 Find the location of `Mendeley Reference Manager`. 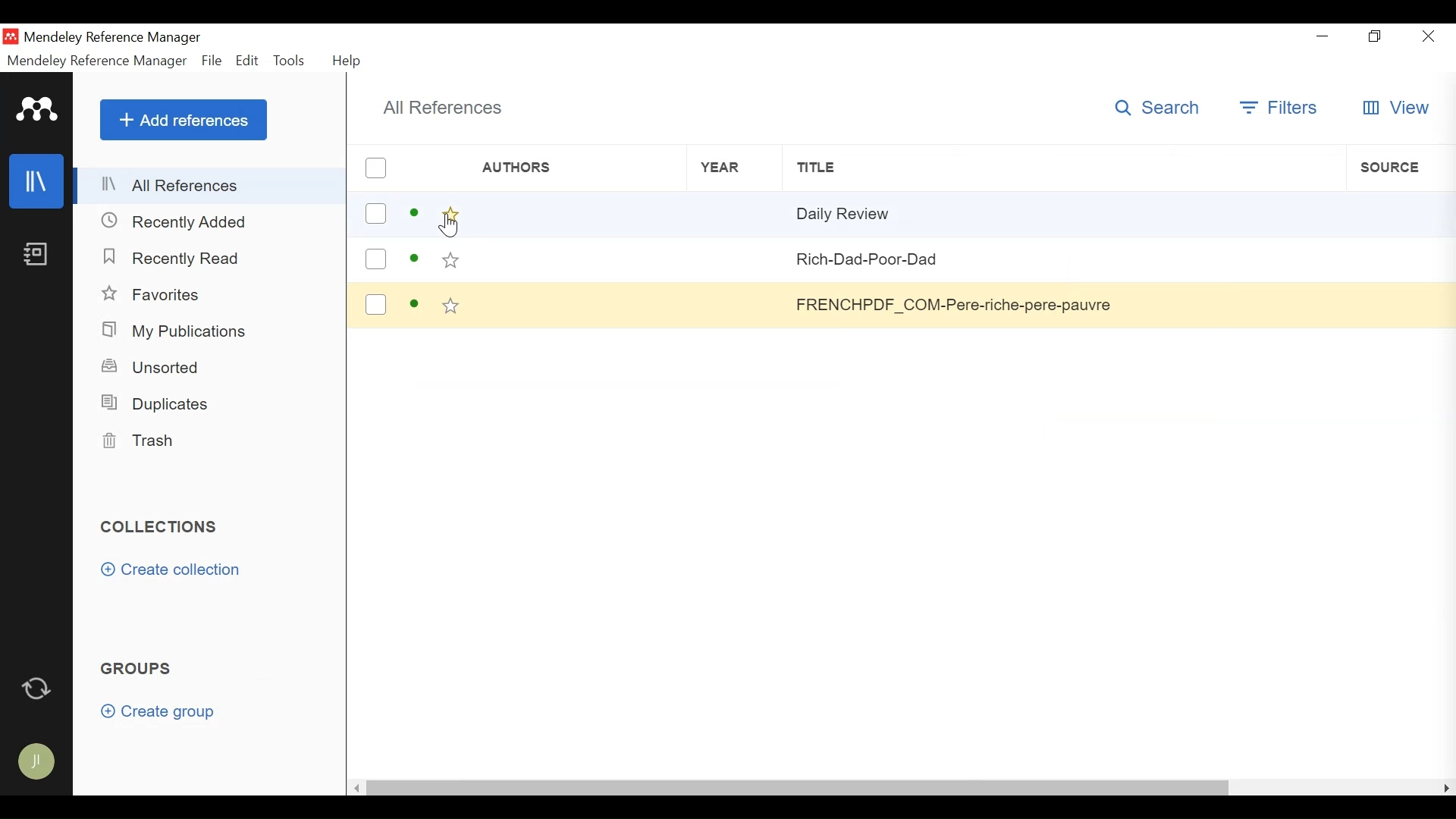

Mendeley Reference Manager is located at coordinates (115, 38).